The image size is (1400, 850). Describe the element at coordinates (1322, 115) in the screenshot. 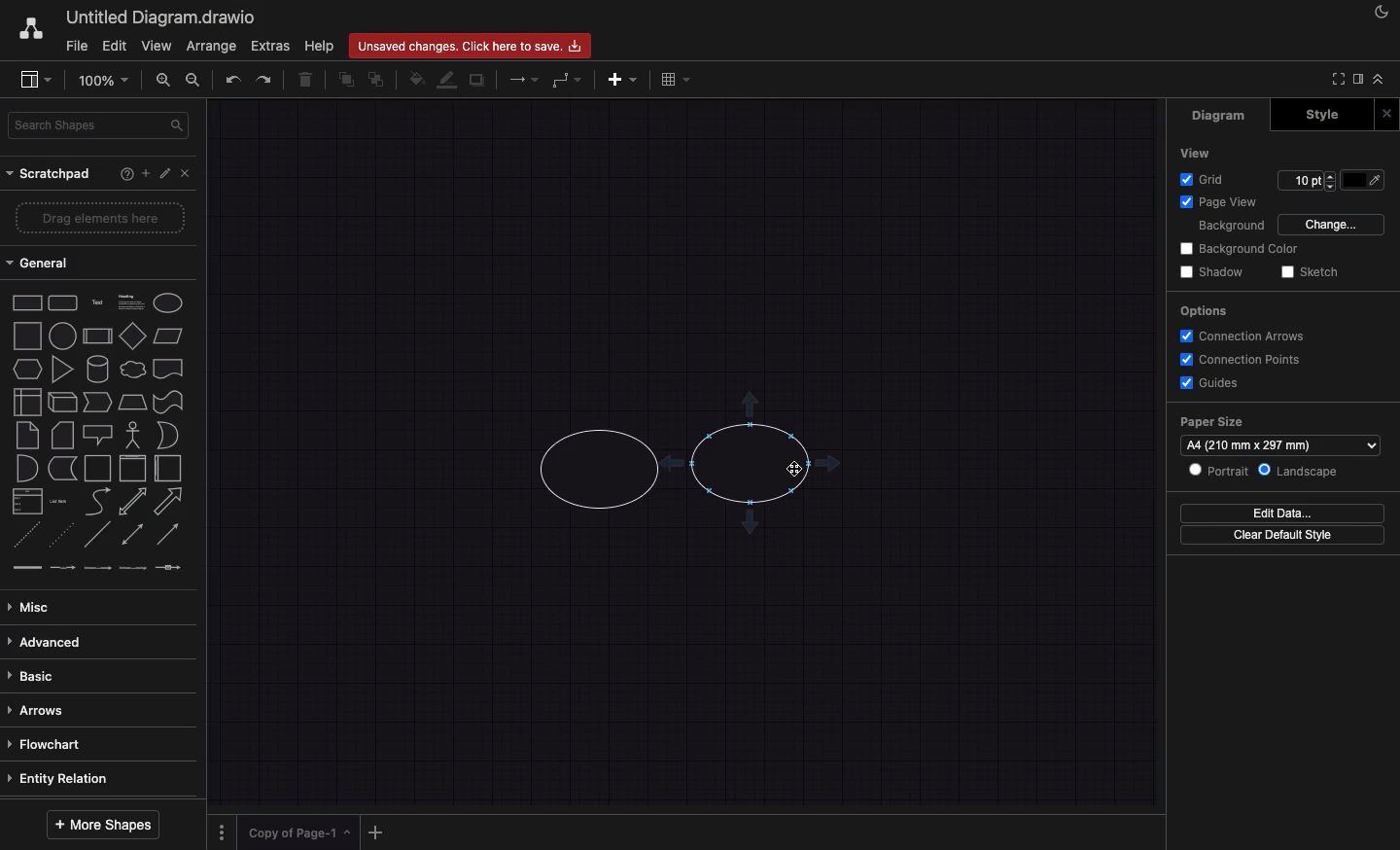

I see `style` at that location.